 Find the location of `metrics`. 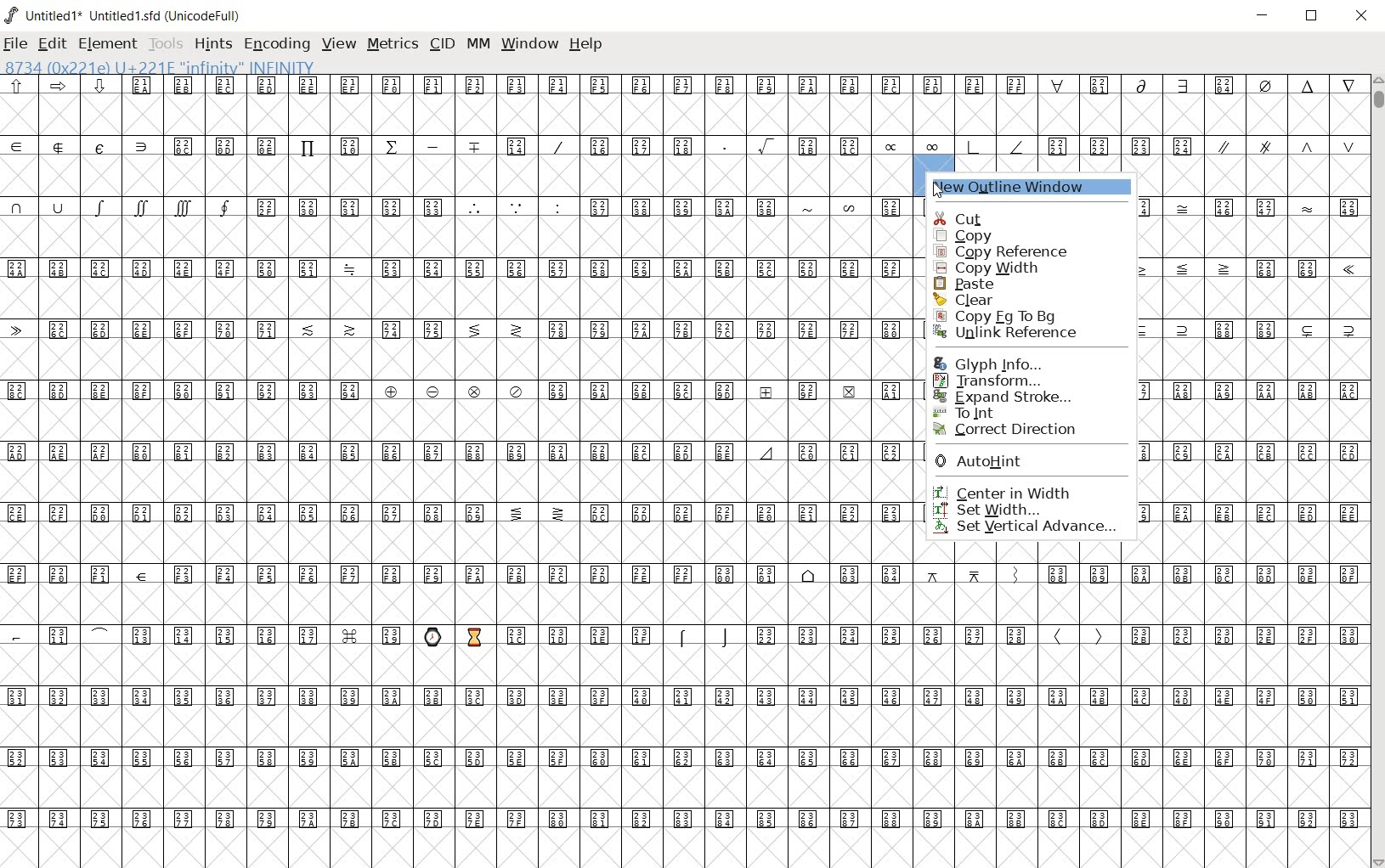

metrics is located at coordinates (394, 43).